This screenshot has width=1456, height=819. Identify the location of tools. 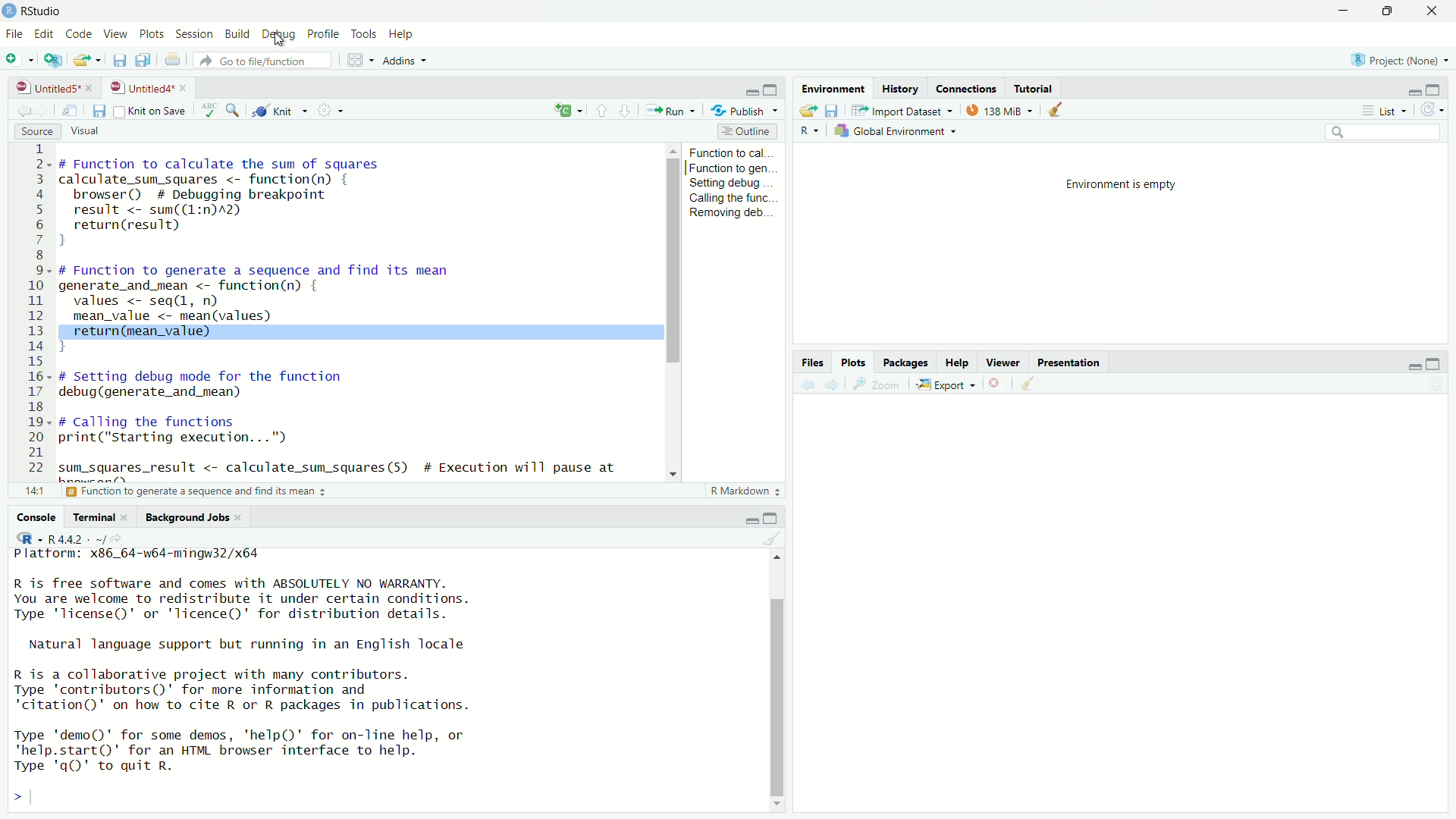
(363, 33).